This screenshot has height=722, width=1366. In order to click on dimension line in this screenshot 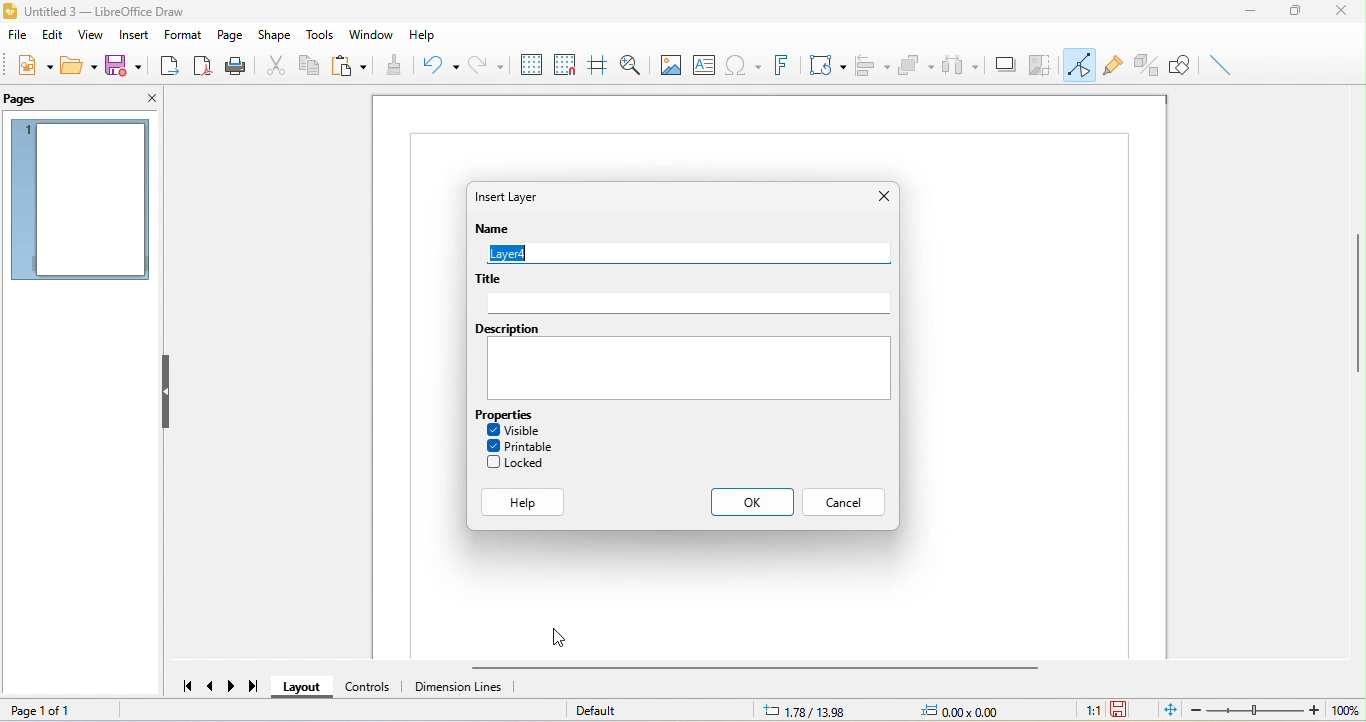, I will do `click(469, 689)`.